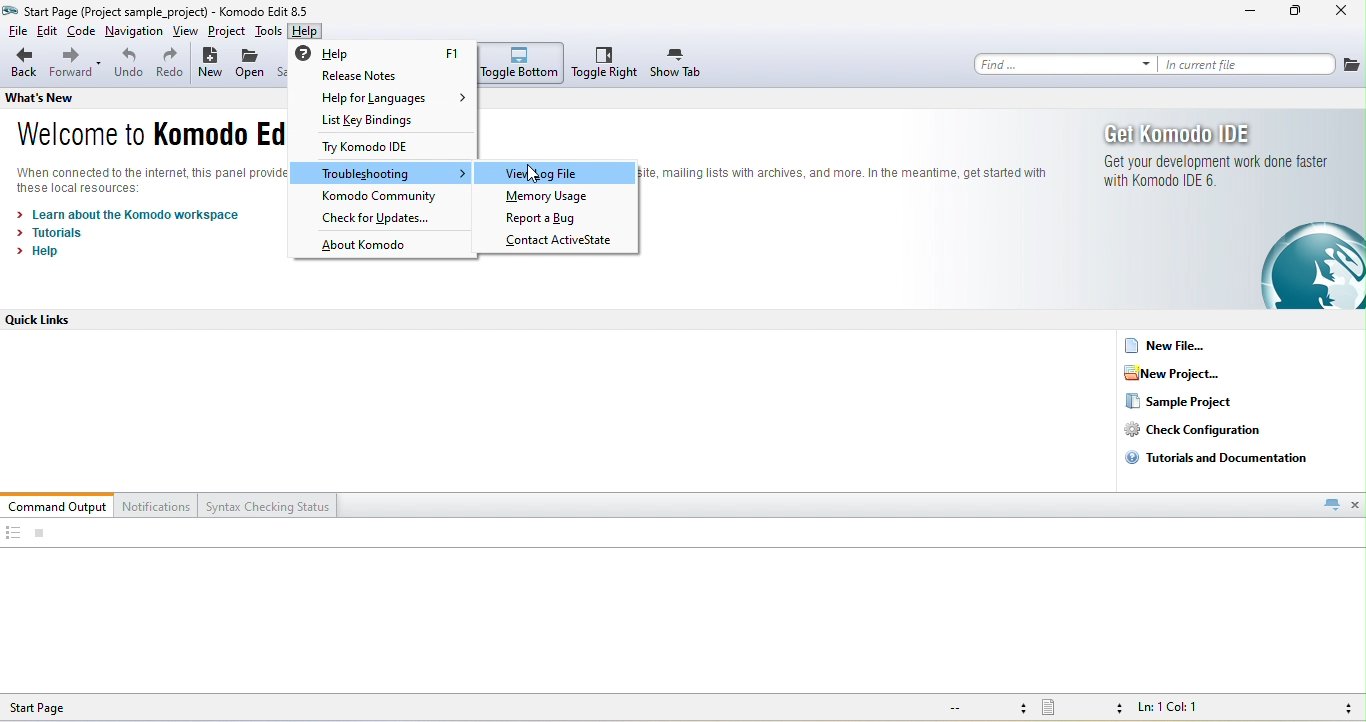 This screenshot has width=1366, height=722. Describe the element at coordinates (58, 505) in the screenshot. I see `command output` at that location.